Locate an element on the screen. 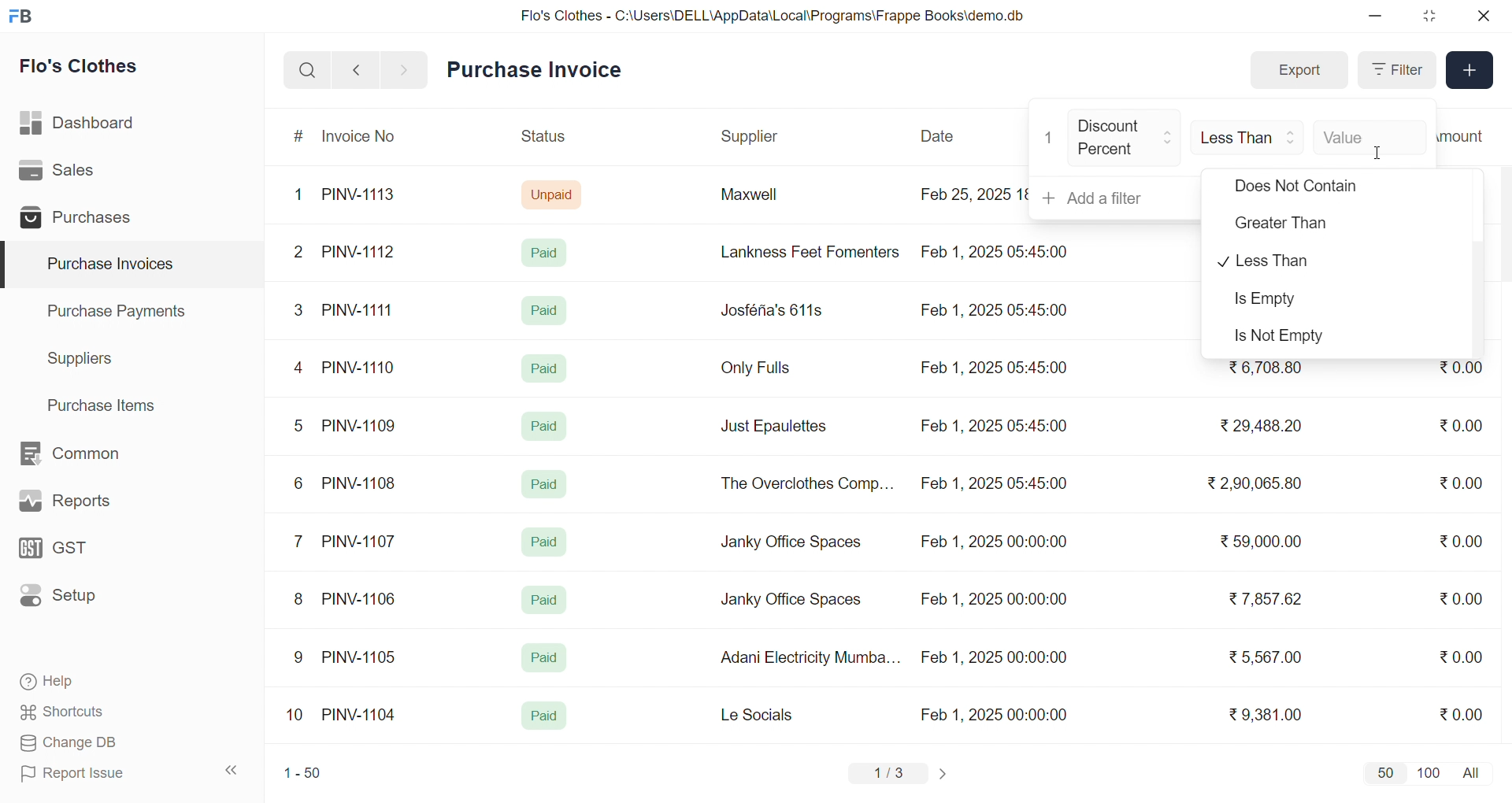 The image size is (1512, 803). ₹ 2,90,065.80 is located at coordinates (1256, 484).